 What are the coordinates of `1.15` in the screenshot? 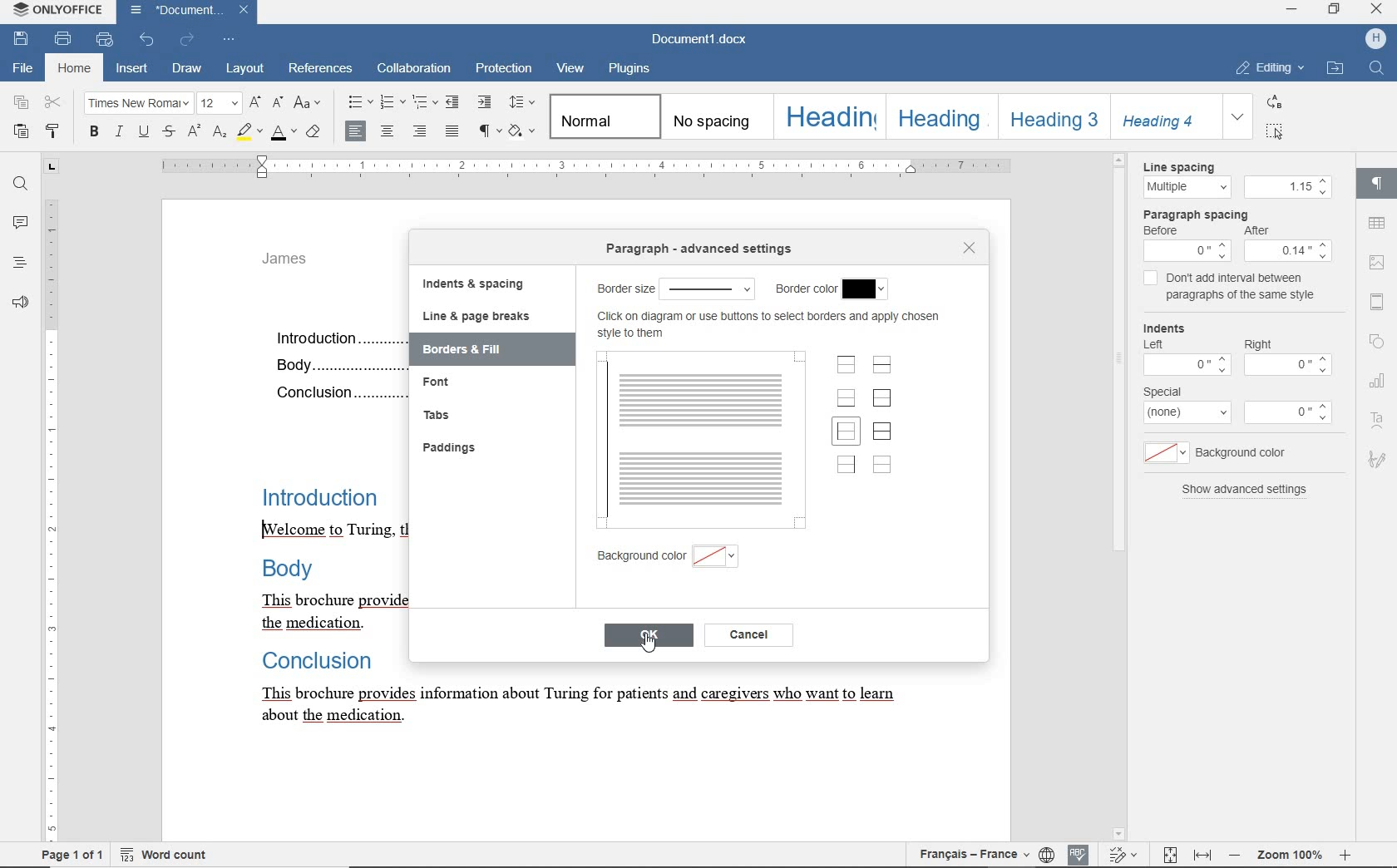 It's located at (1288, 187).